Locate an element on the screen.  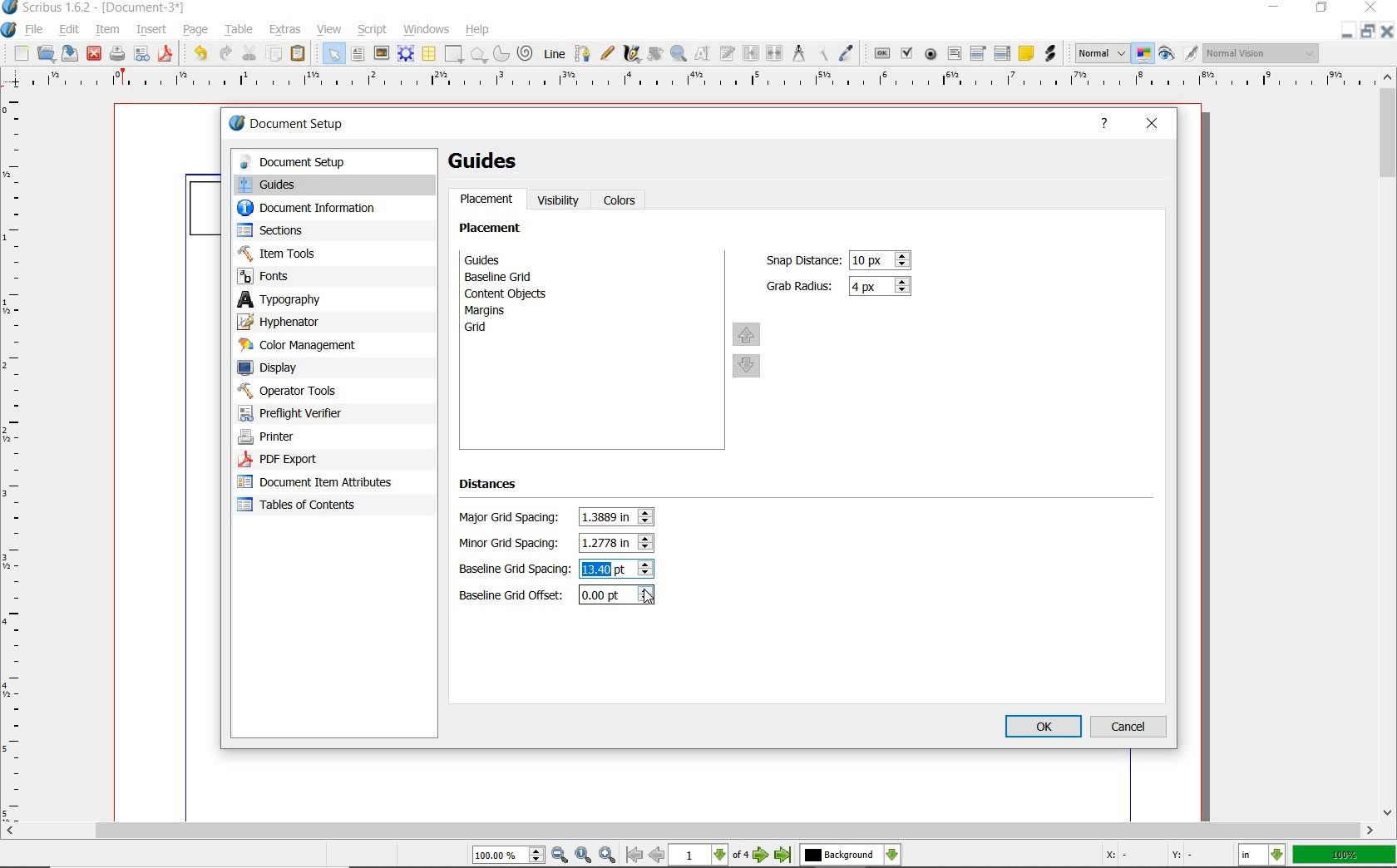
text frame is located at coordinates (358, 56).